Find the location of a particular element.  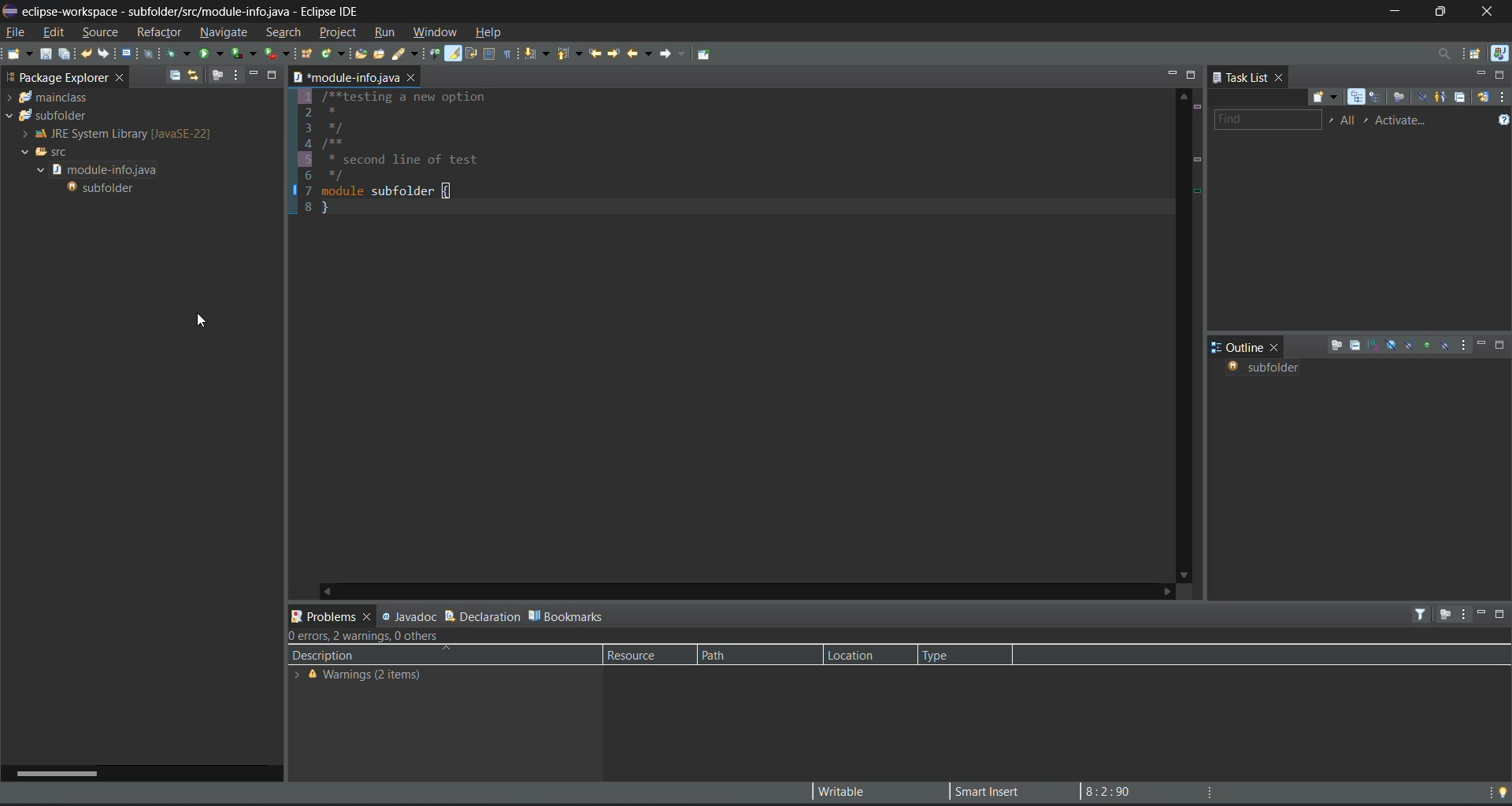

window is located at coordinates (439, 31).